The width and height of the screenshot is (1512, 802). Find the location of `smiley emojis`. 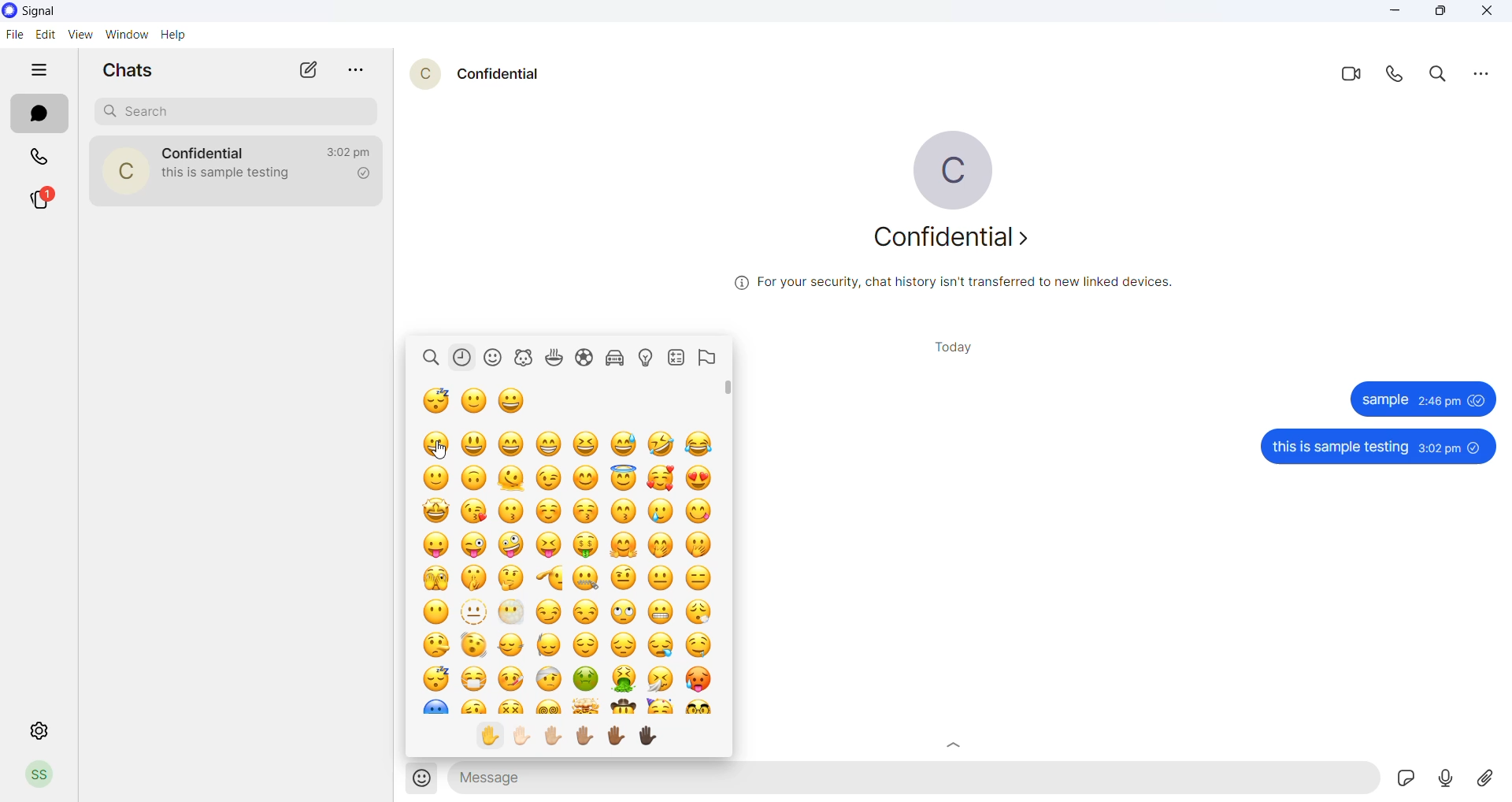

smiley emojis is located at coordinates (498, 358).